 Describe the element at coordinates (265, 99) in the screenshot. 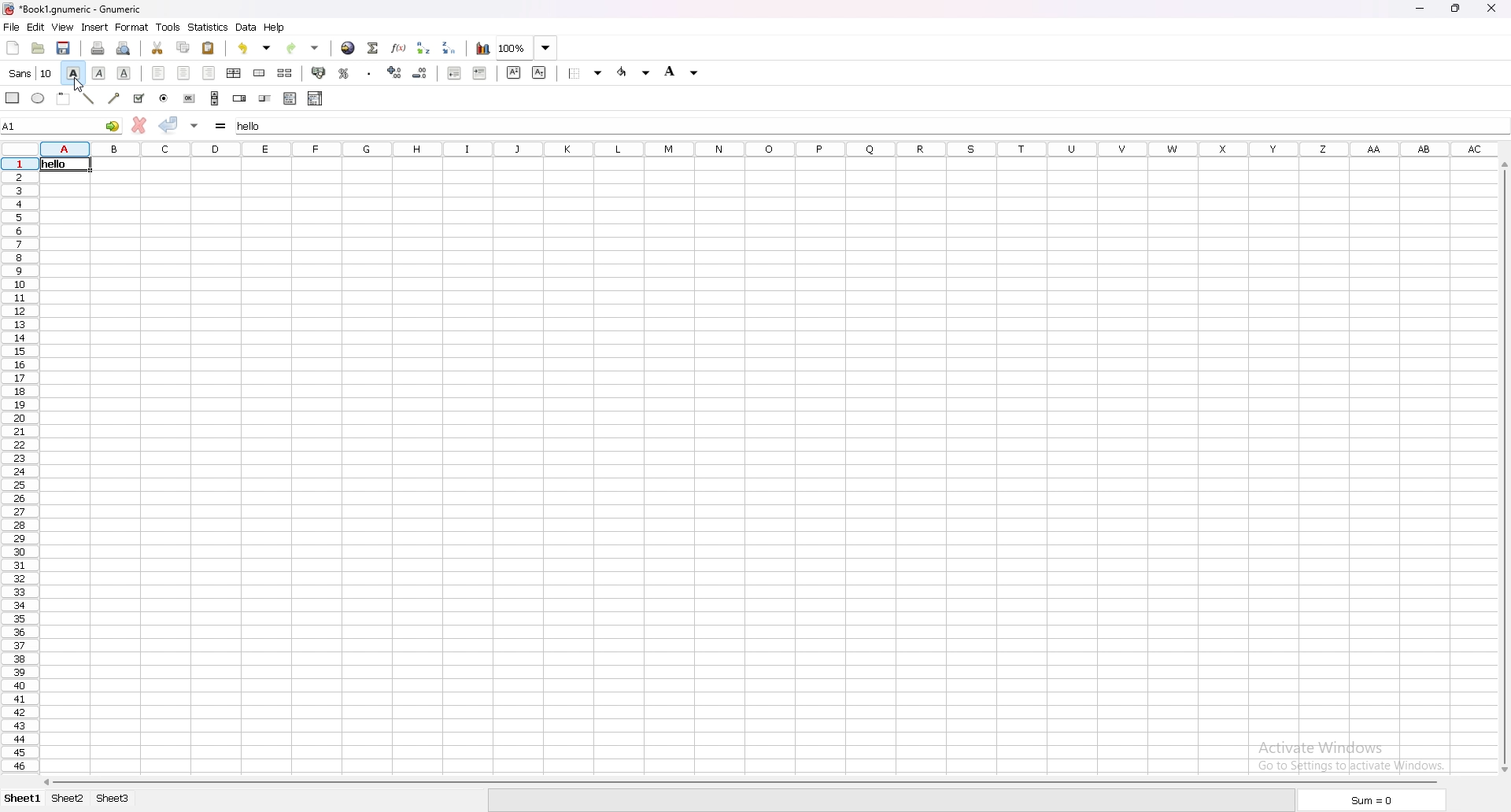

I see `slider` at that location.